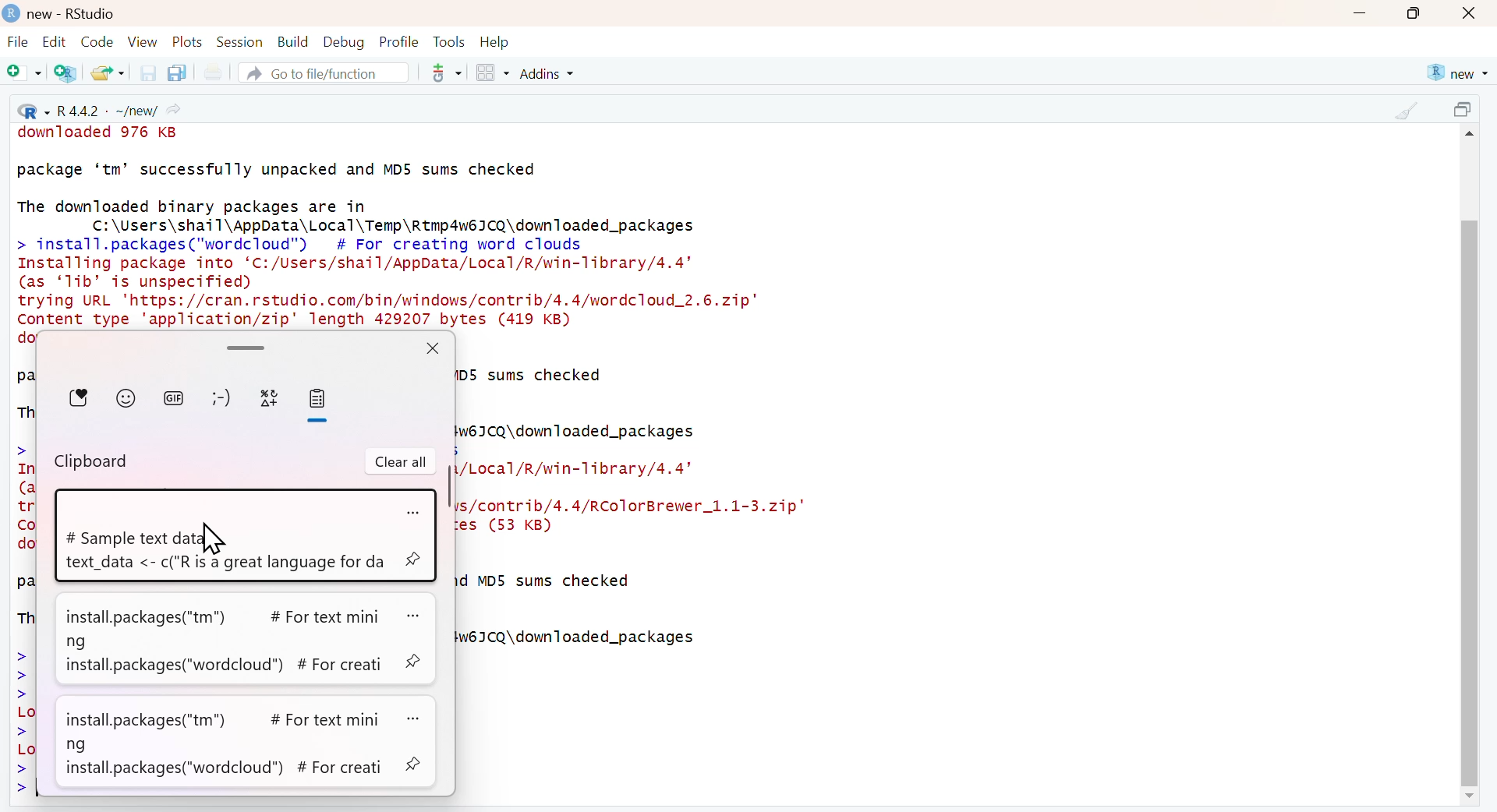 Image resolution: width=1497 pixels, height=812 pixels. I want to click on GIF, so click(173, 398).